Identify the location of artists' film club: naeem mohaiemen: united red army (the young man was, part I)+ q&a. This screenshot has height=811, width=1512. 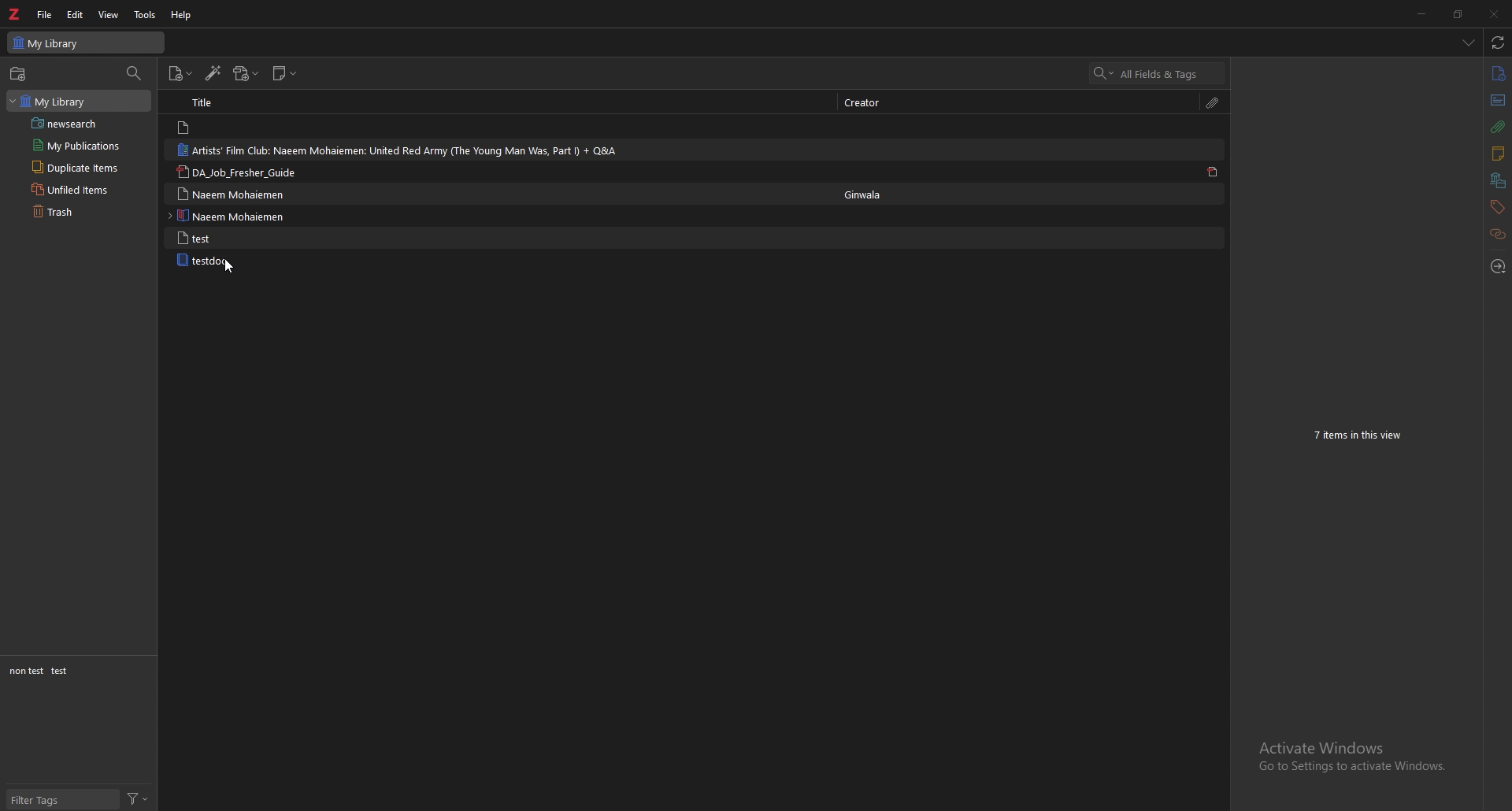
(397, 151).